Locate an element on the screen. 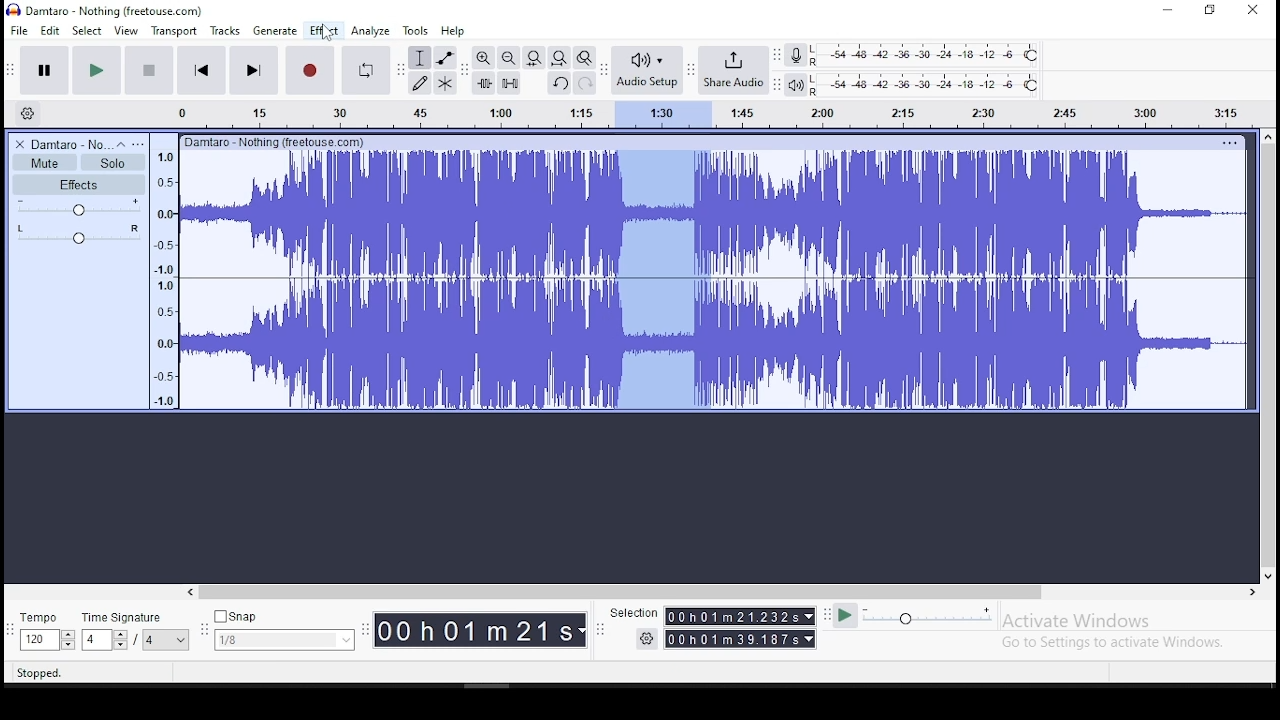 The height and width of the screenshot is (720, 1280). playback speed is located at coordinates (929, 615).